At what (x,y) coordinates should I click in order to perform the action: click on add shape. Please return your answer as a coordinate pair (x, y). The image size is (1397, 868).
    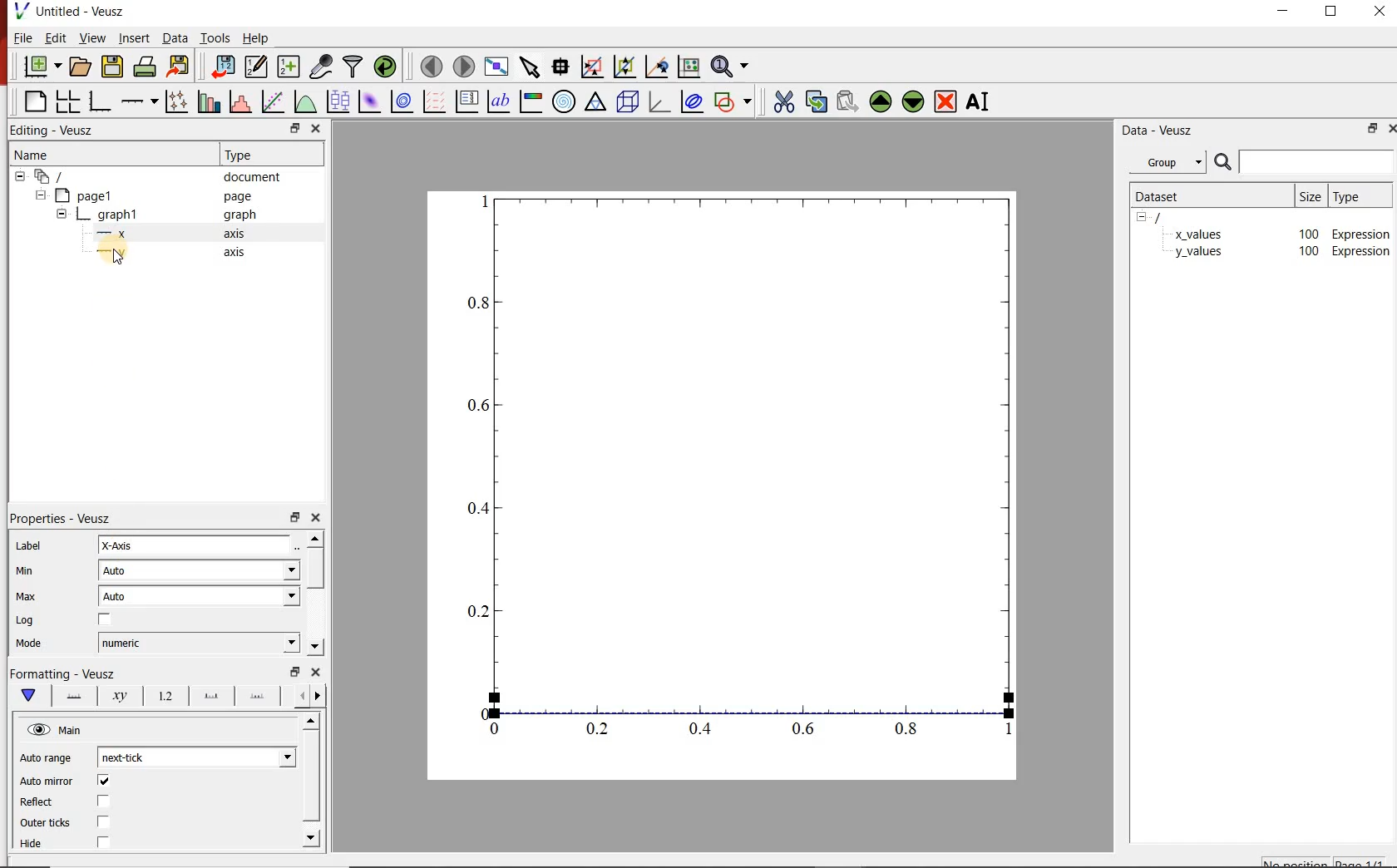
    Looking at the image, I should click on (733, 102).